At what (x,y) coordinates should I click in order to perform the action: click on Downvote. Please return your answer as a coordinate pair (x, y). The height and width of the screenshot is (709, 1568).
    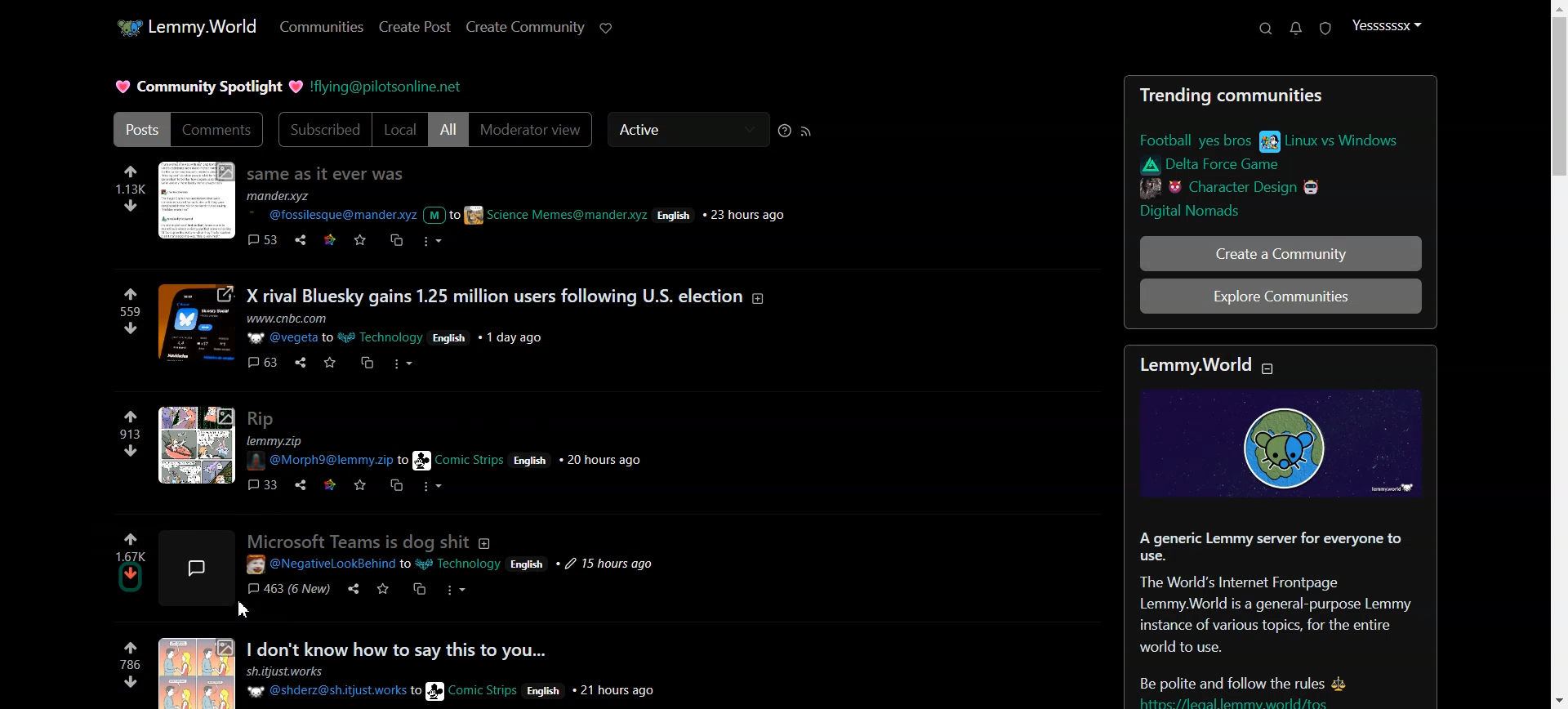
    Looking at the image, I should click on (131, 572).